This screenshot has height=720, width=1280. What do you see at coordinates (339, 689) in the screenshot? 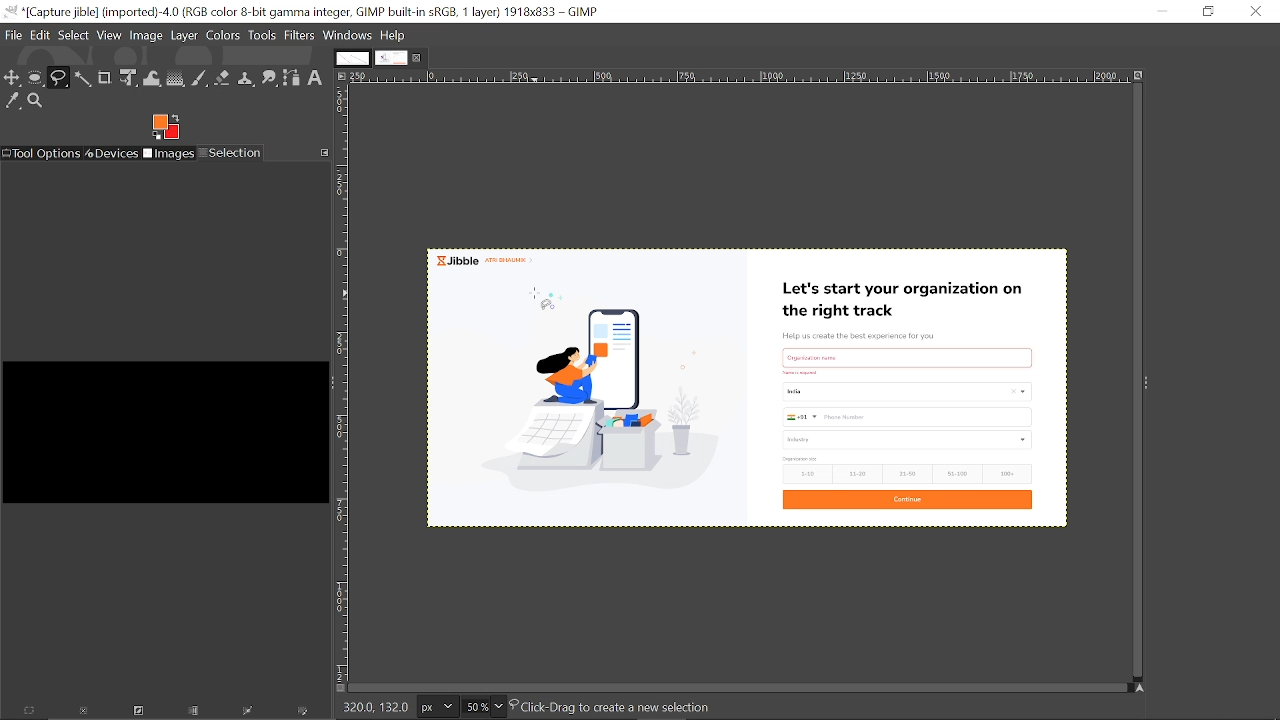
I see `Toggle quick mask on/off` at bounding box center [339, 689].